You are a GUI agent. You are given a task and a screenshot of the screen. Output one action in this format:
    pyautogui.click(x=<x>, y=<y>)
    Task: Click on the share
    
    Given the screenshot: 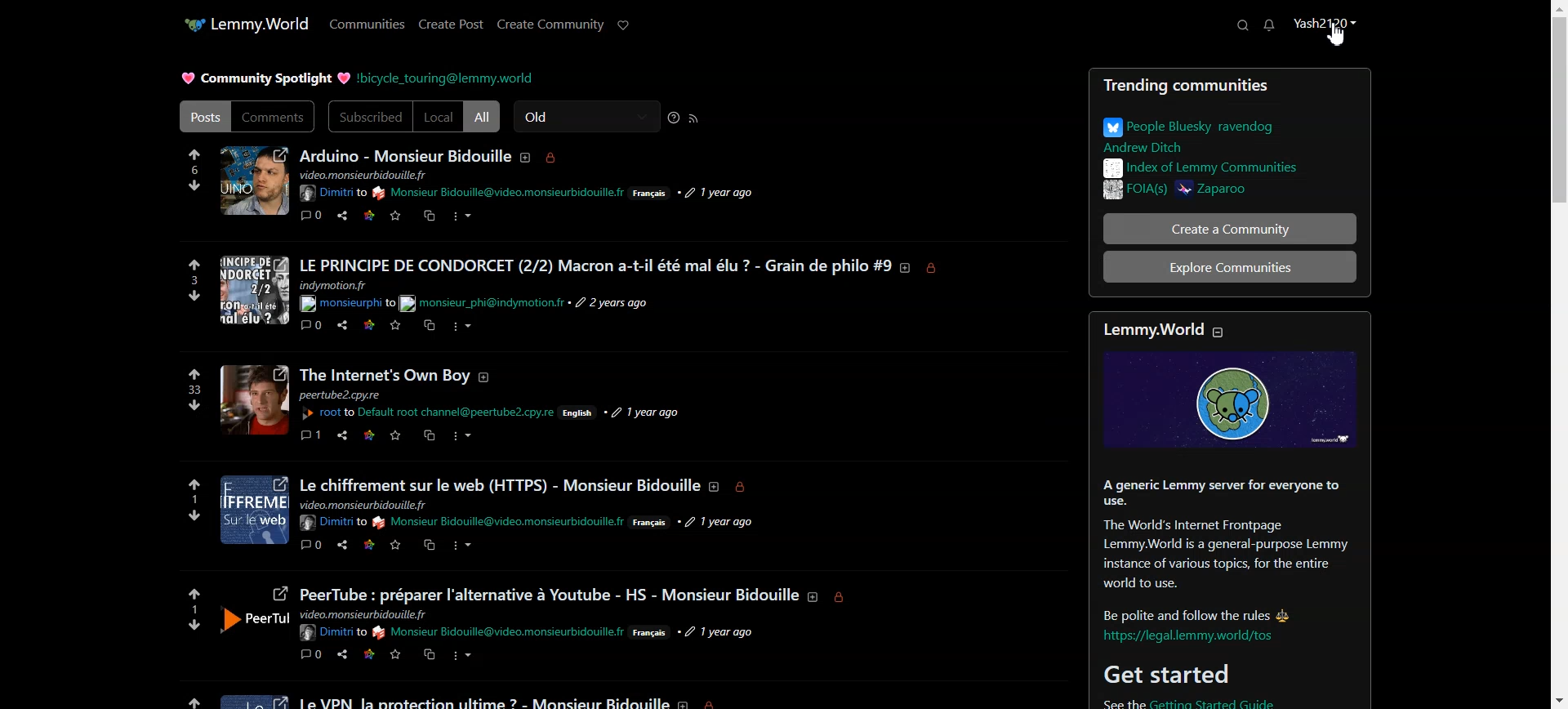 What is the action you would take?
    pyautogui.click(x=341, y=546)
    